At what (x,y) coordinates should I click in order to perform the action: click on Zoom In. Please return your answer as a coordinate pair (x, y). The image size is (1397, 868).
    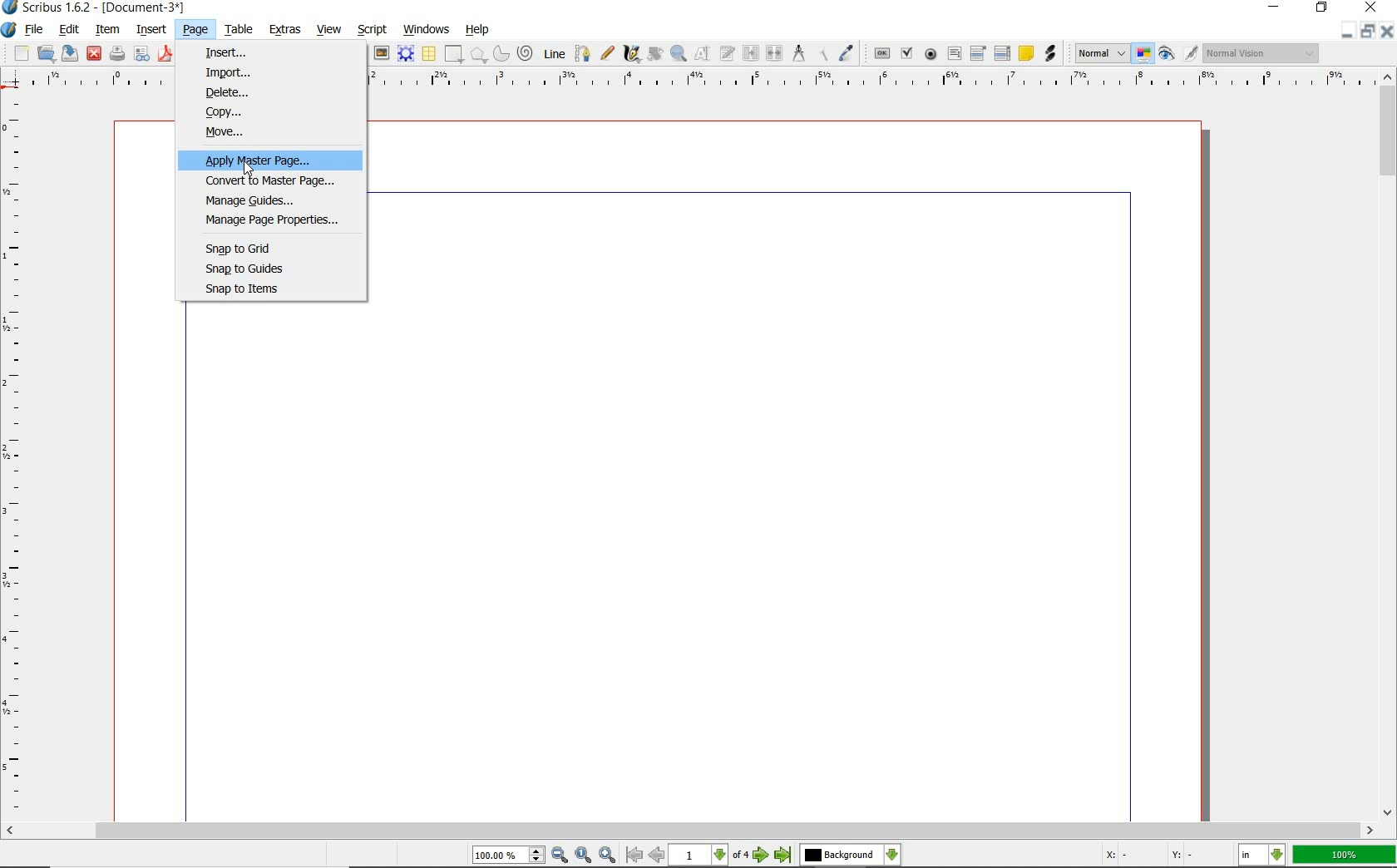
    Looking at the image, I should click on (607, 856).